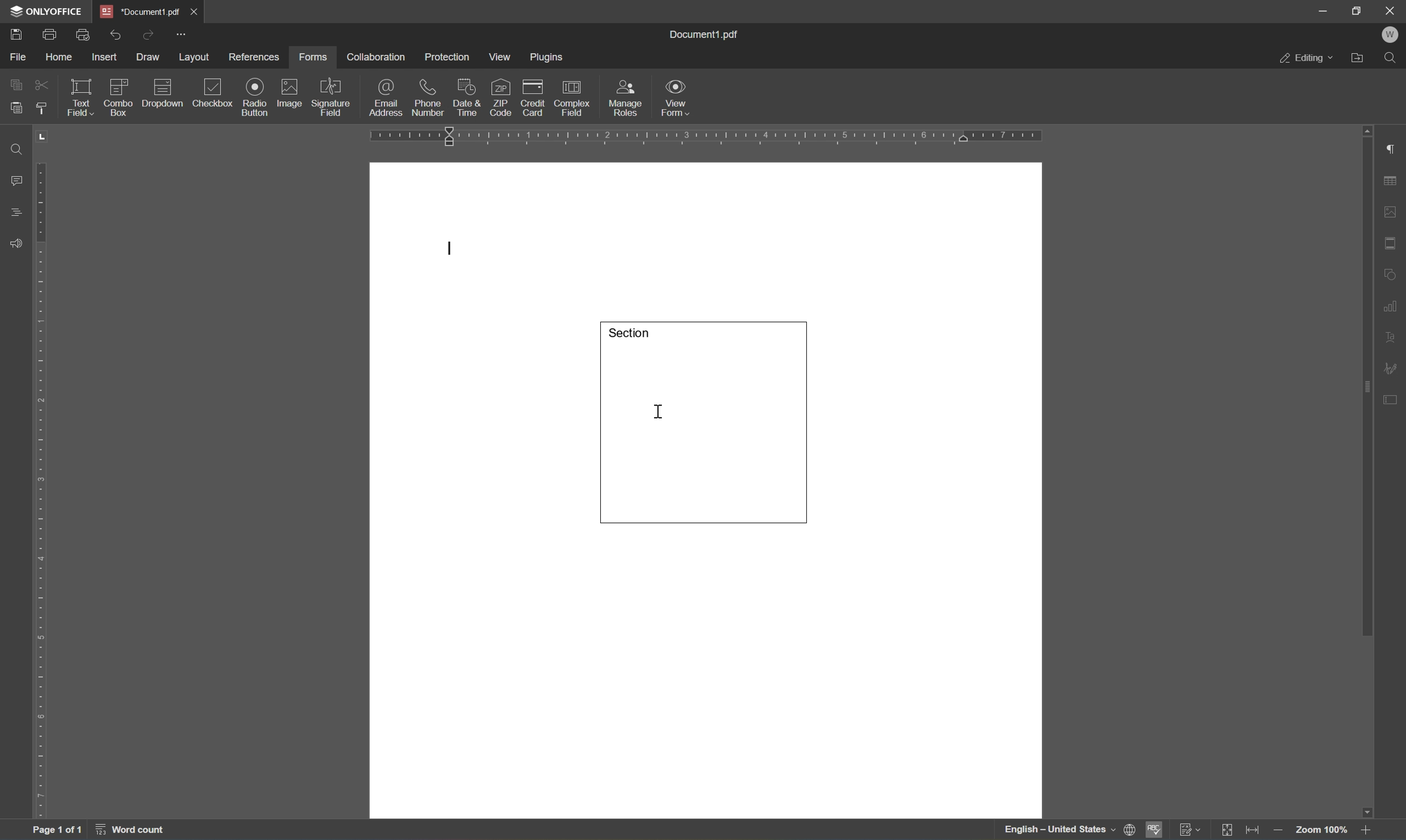 Image resolution: width=1406 pixels, height=840 pixels. I want to click on email adddress, so click(385, 97).